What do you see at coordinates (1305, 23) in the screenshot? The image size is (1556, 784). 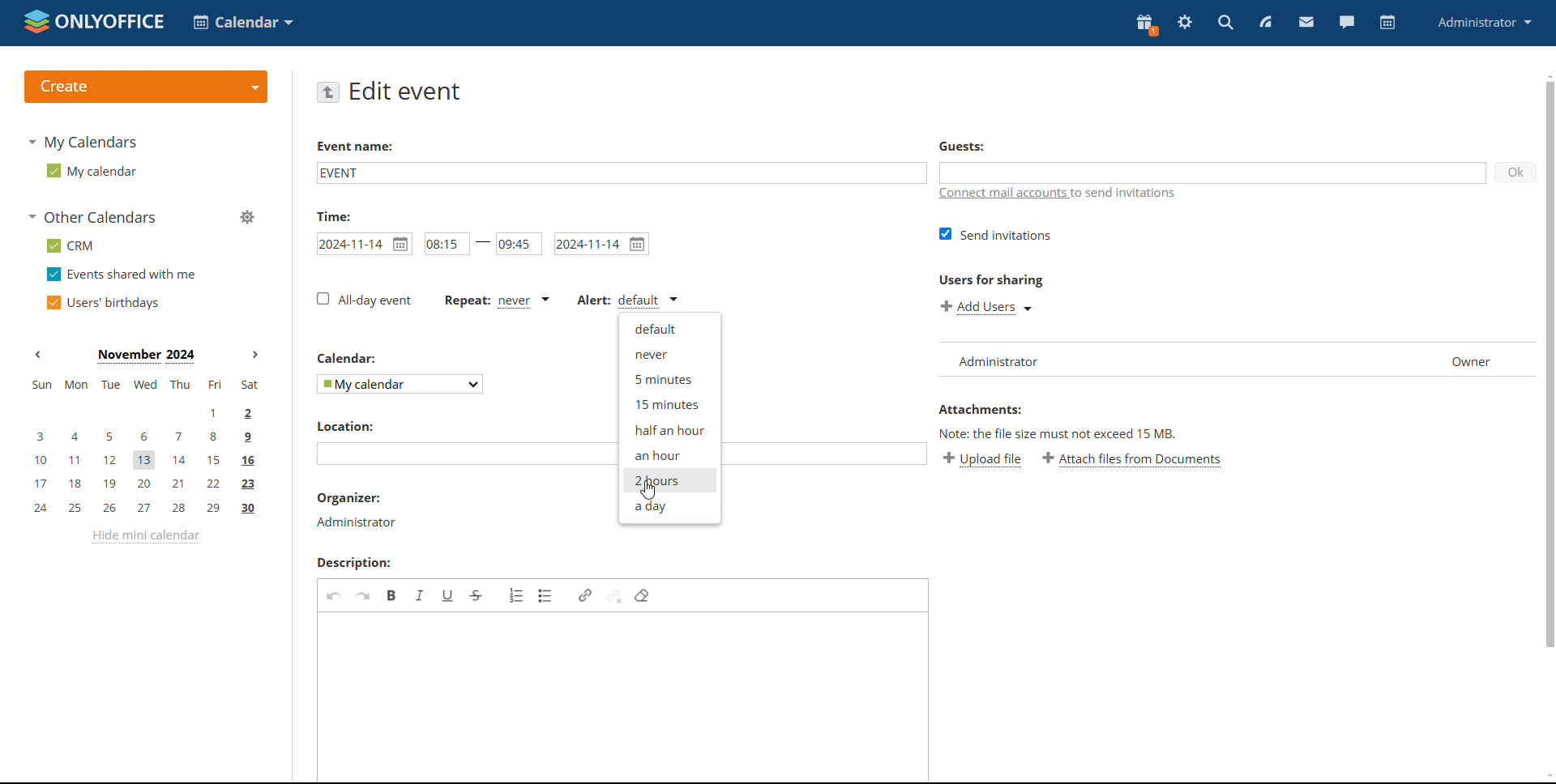 I see `mail` at bounding box center [1305, 23].